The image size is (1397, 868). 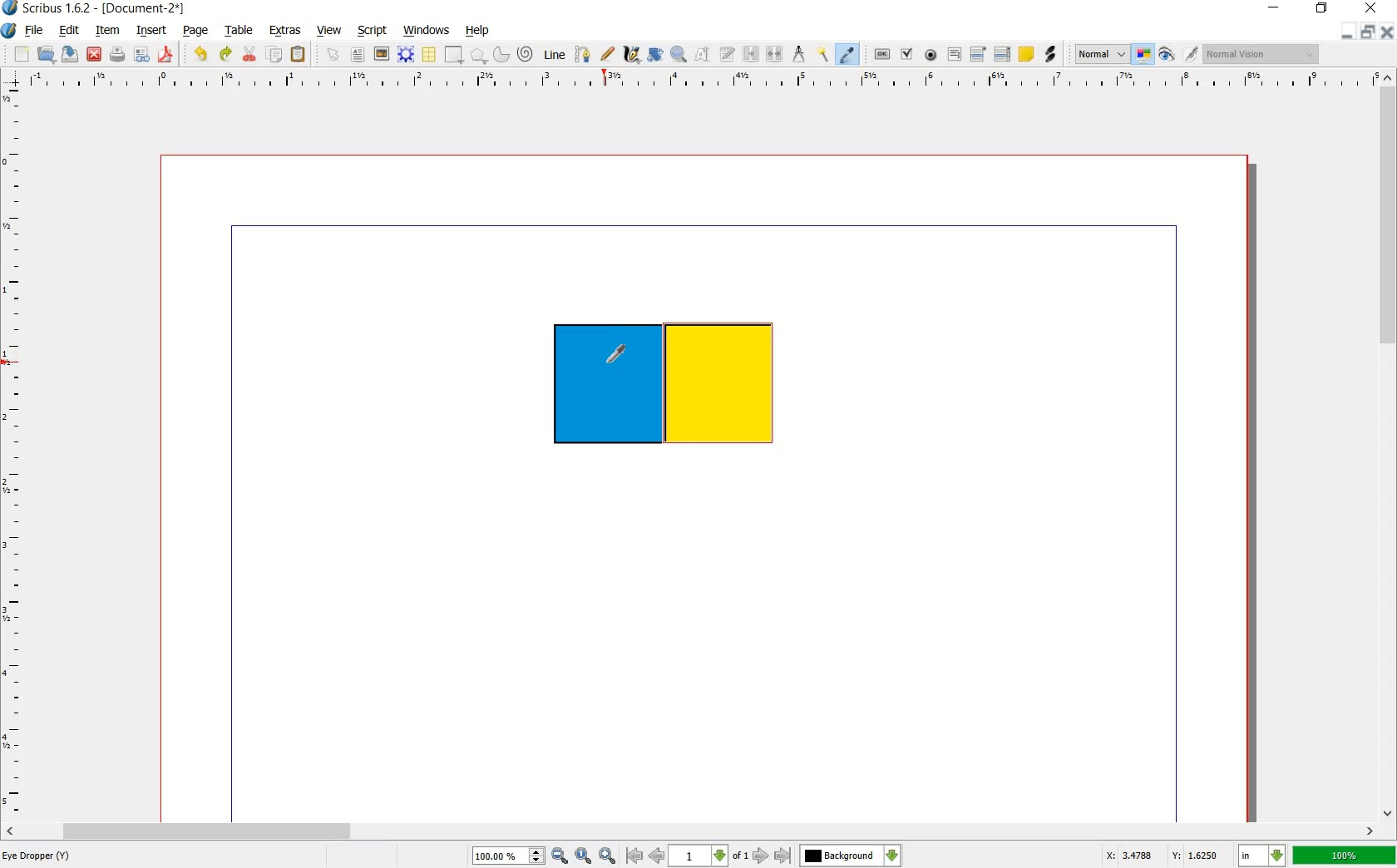 I want to click on edit contents of frame, so click(x=704, y=56).